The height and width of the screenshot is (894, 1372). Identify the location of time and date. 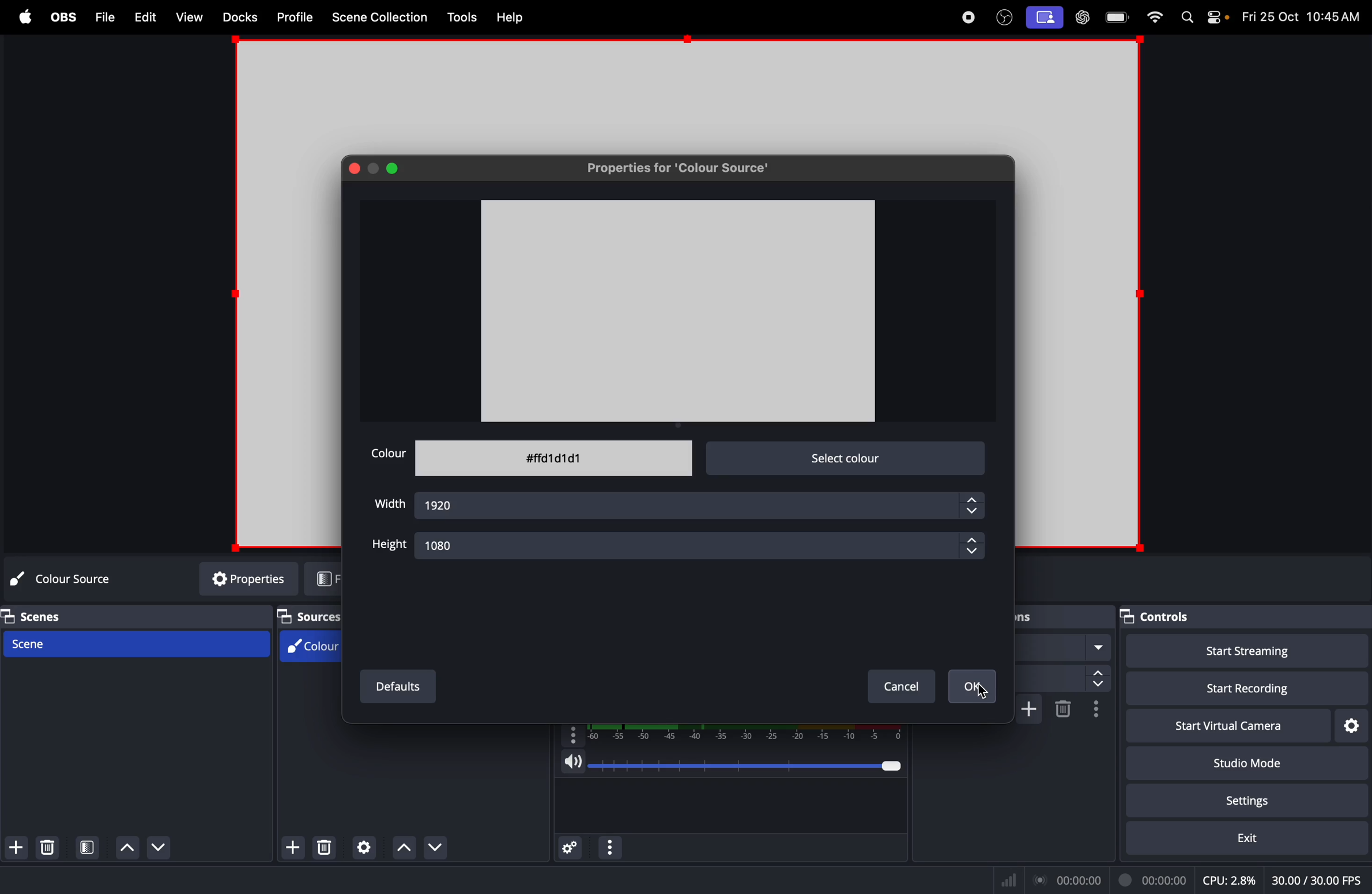
(1302, 14).